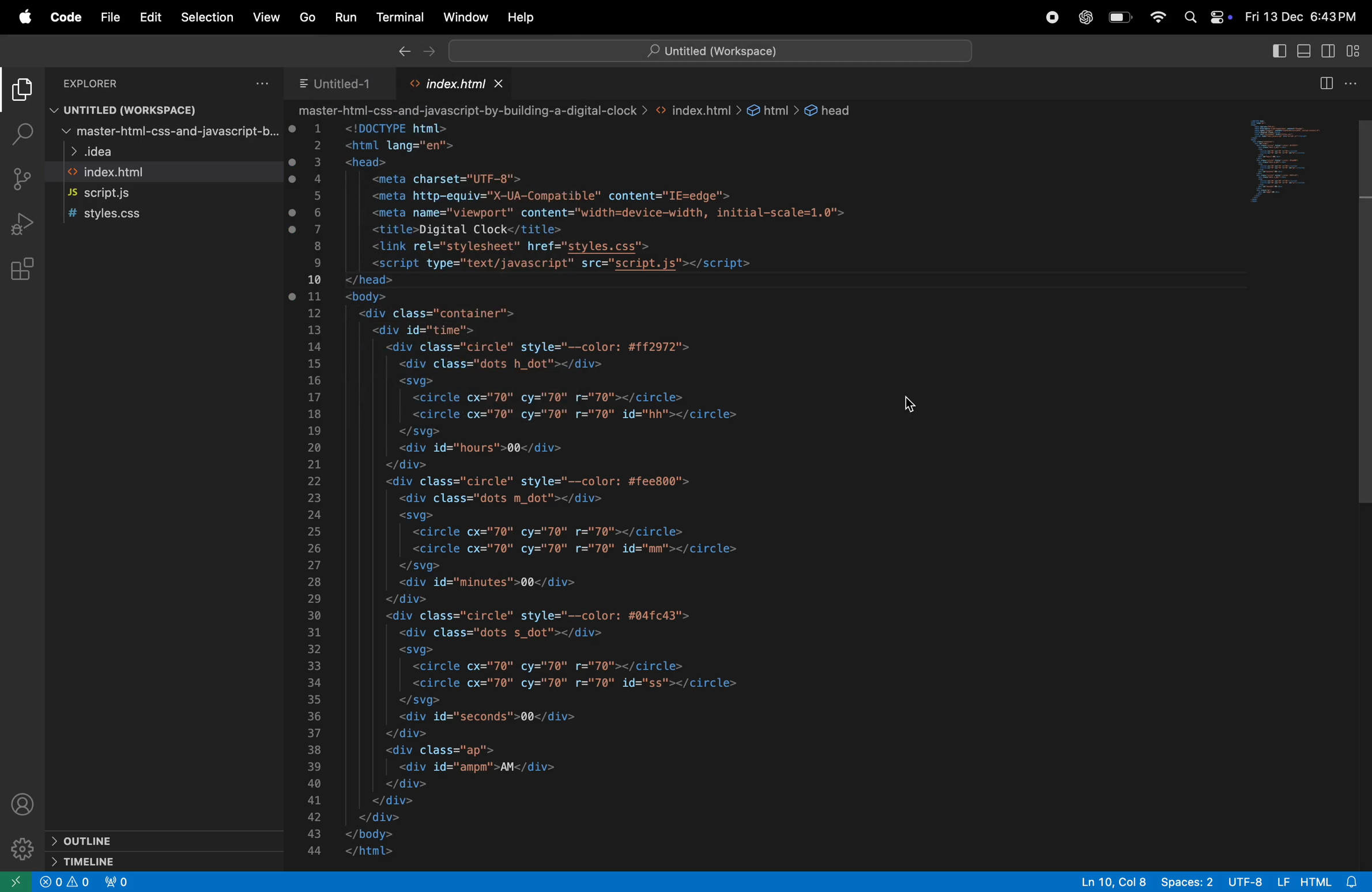 This screenshot has width=1372, height=892. I want to click on UTF 8, so click(1248, 881).